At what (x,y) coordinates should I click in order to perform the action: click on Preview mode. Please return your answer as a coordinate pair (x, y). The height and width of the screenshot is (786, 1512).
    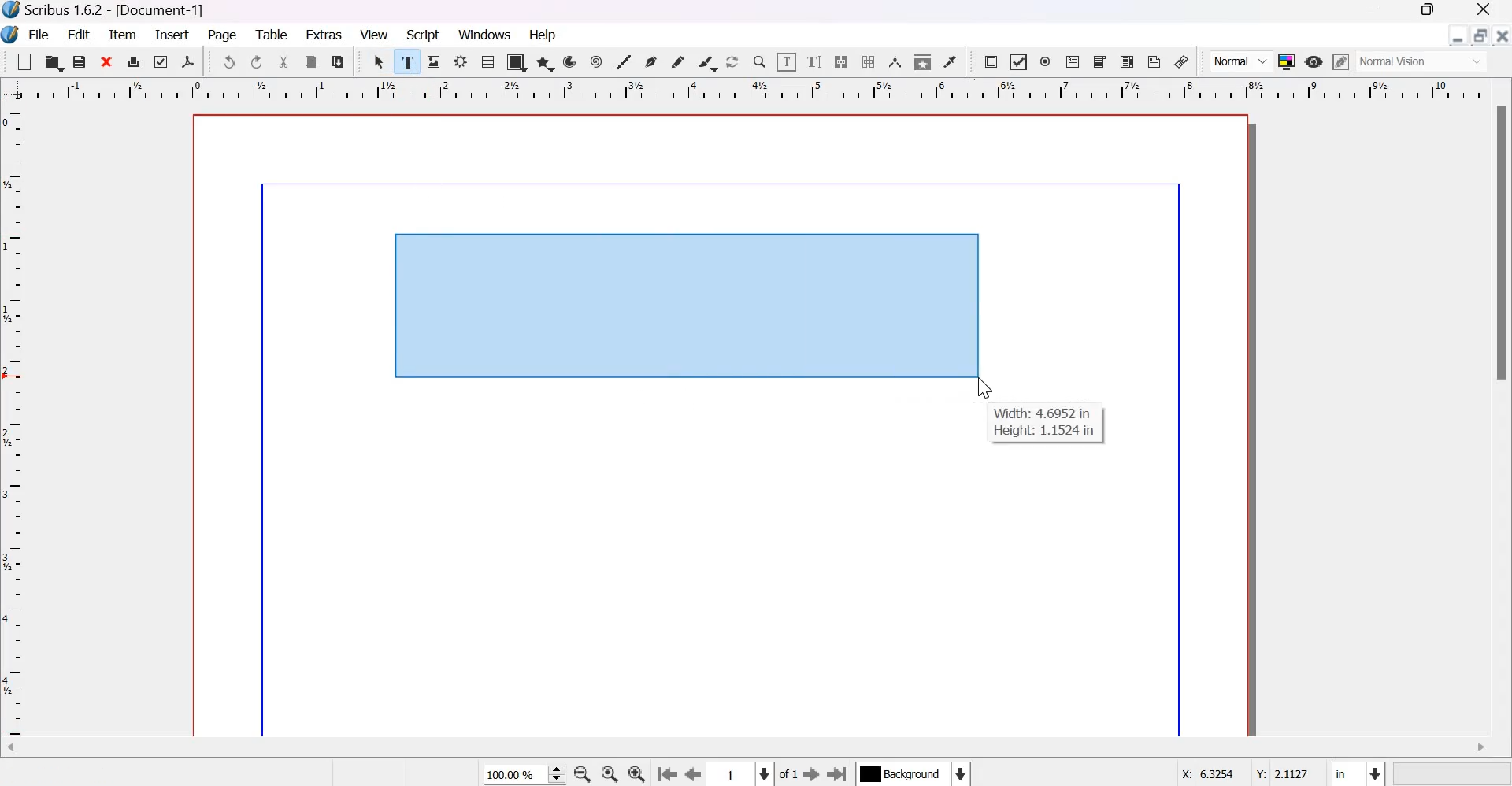
    Looking at the image, I should click on (1314, 63).